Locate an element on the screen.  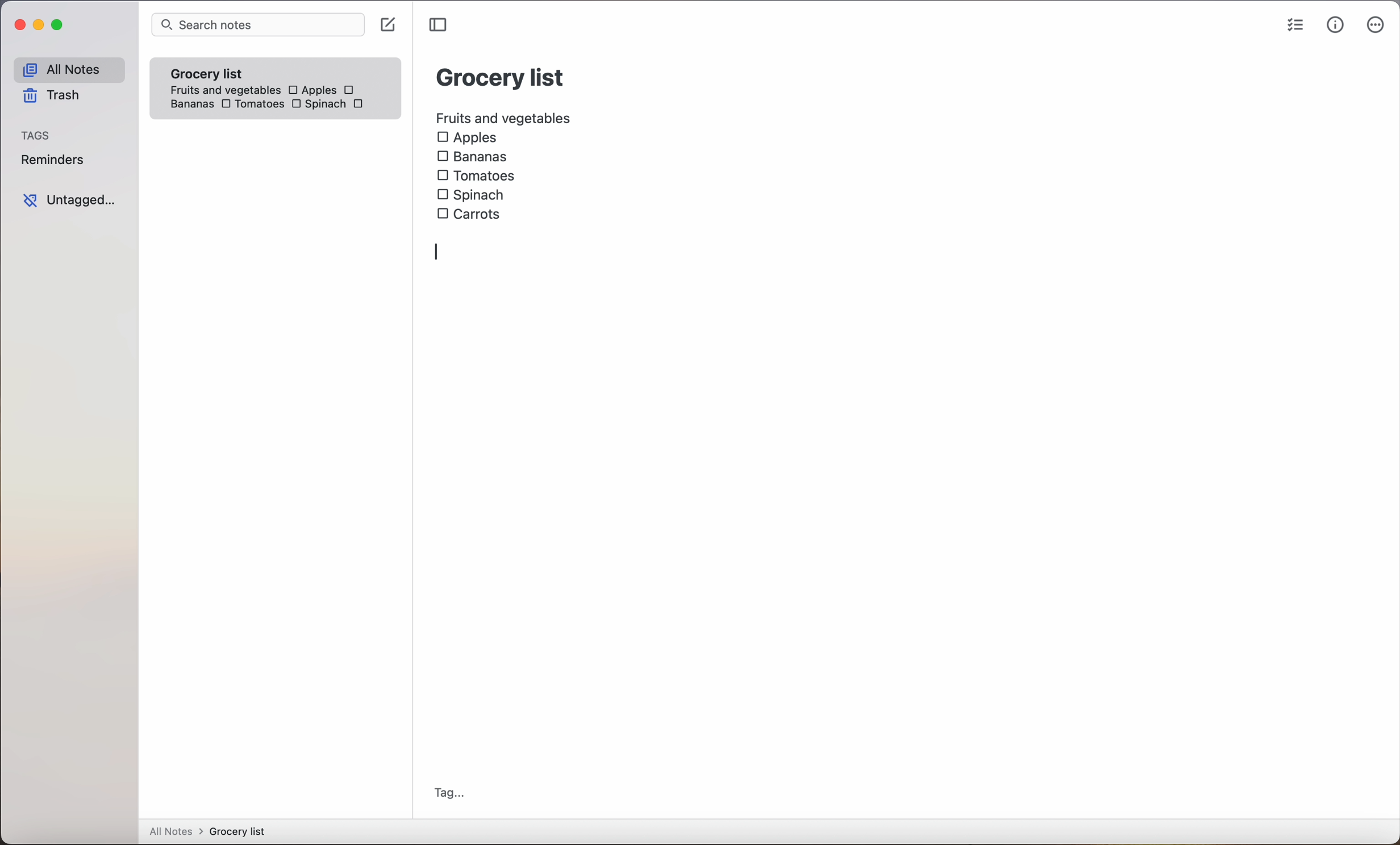
Spinach checkbox is located at coordinates (472, 195).